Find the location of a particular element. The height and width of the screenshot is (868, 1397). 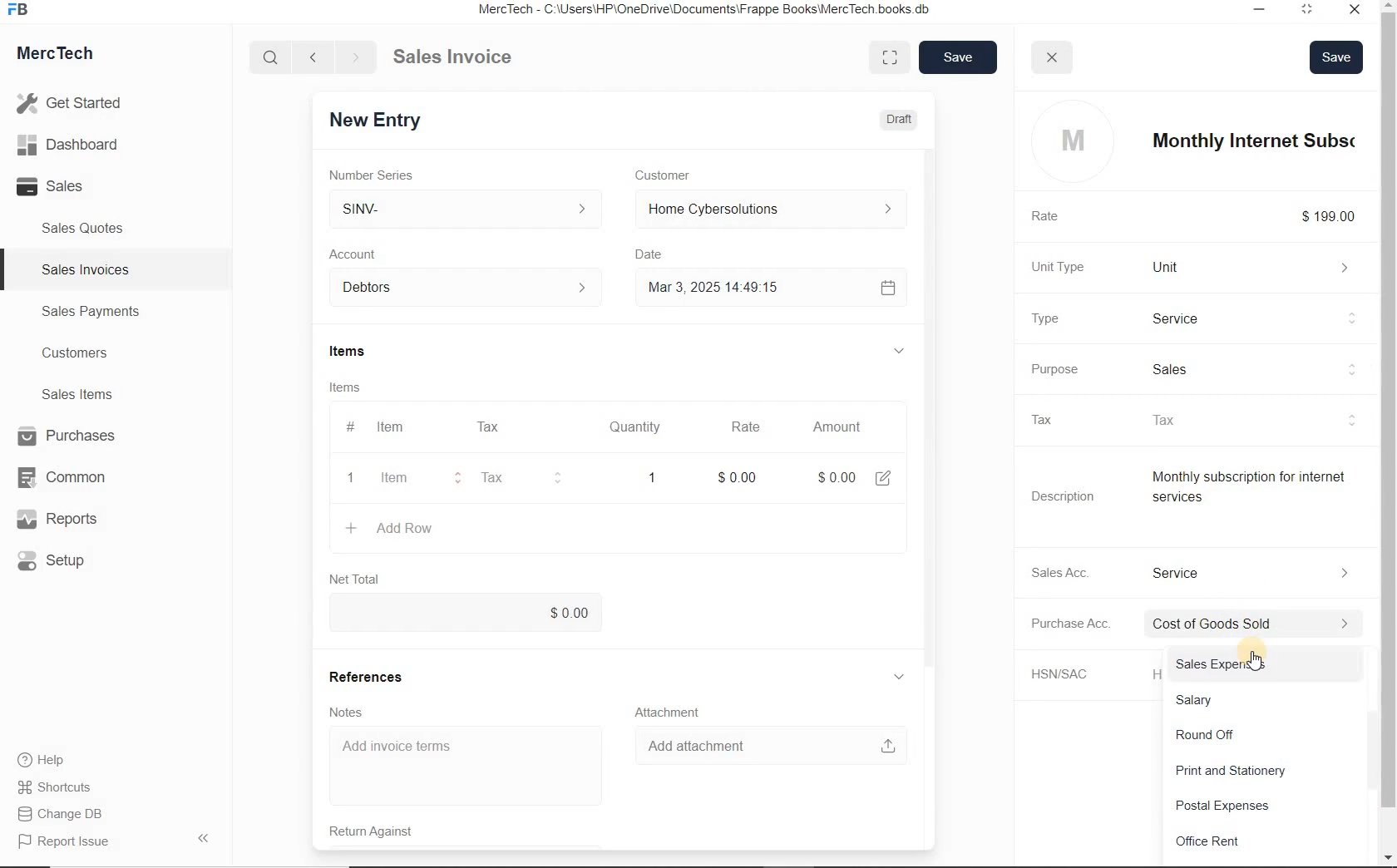

rate: $0.00 is located at coordinates (745, 476).